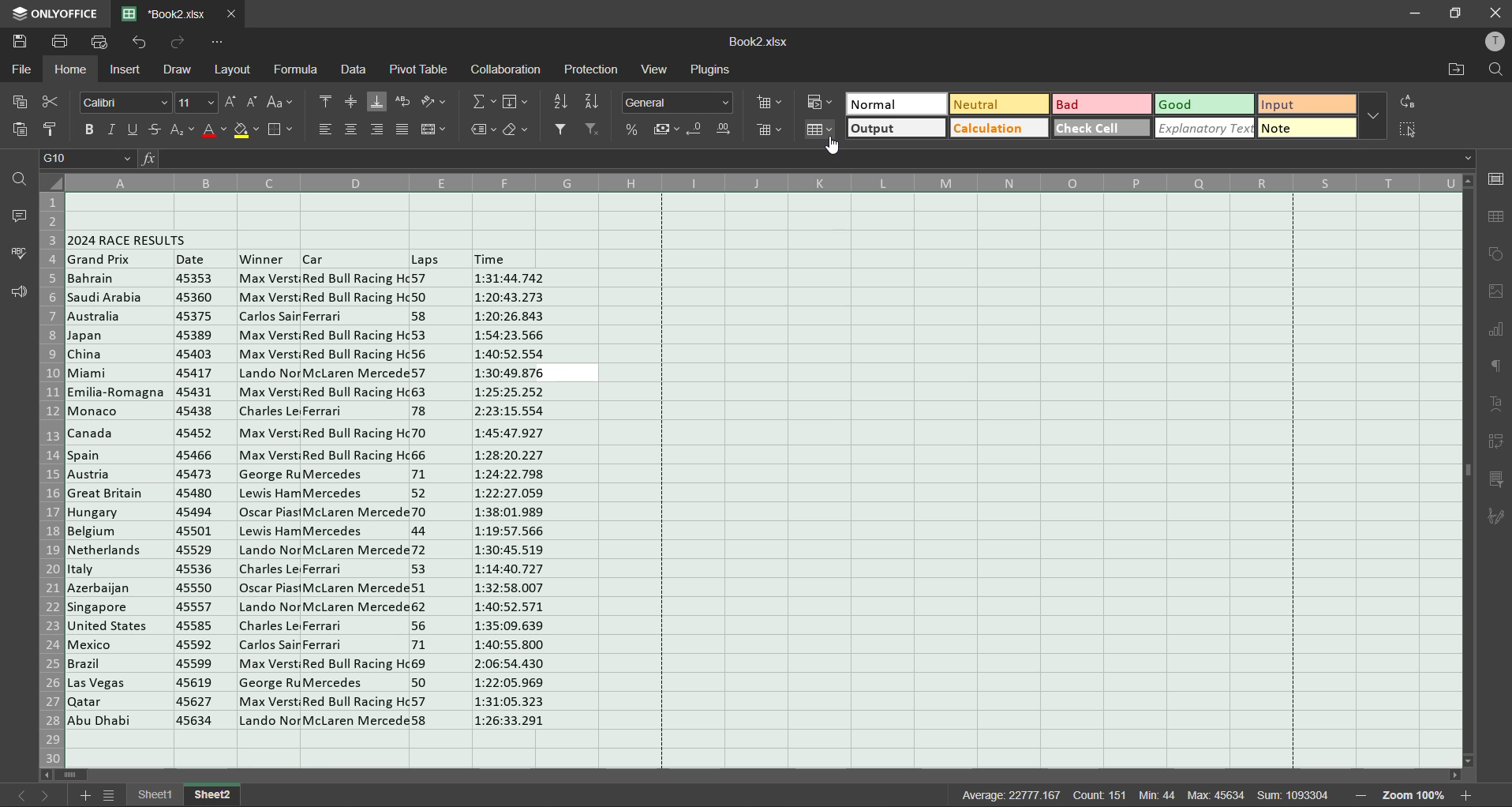 Image resolution: width=1512 pixels, height=807 pixels. What do you see at coordinates (232, 102) in the screenshot?
I see `increment size` at bounding box center [232, 102].